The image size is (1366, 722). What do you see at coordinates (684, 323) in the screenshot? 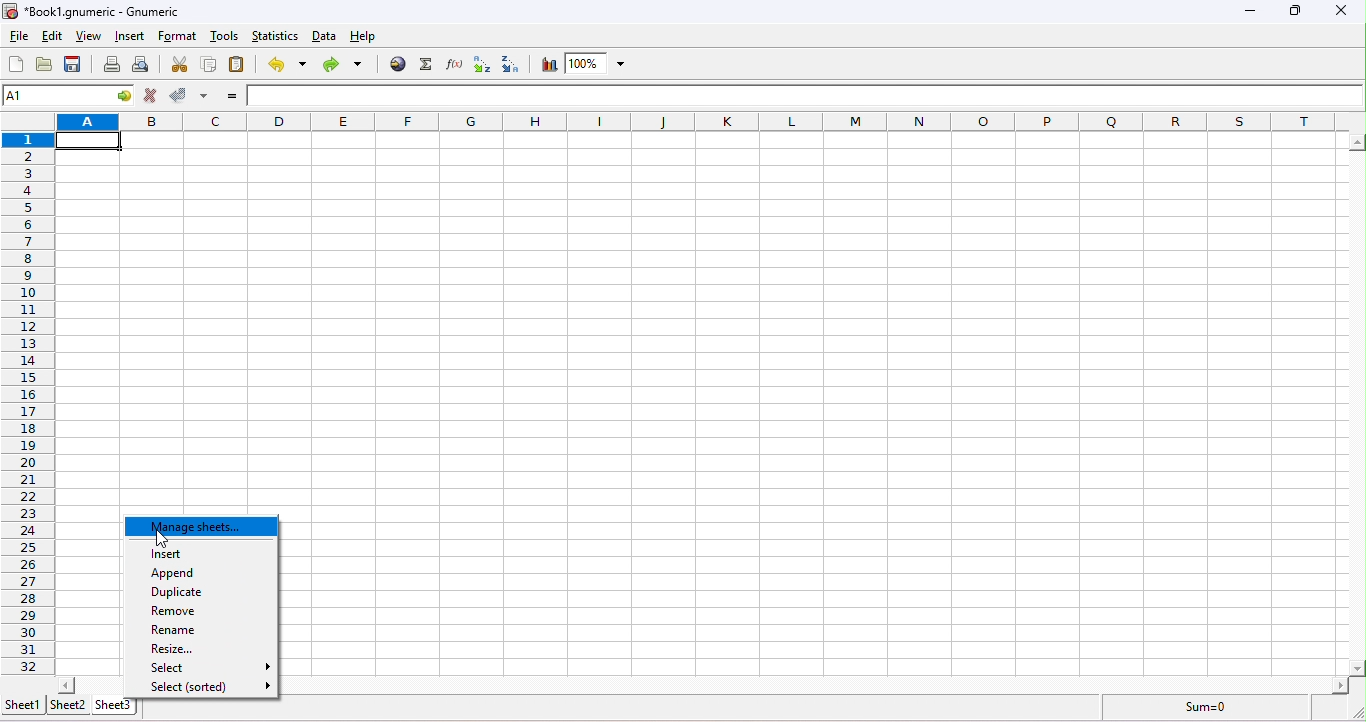
I see `cells` at bounding box center [684, 323].